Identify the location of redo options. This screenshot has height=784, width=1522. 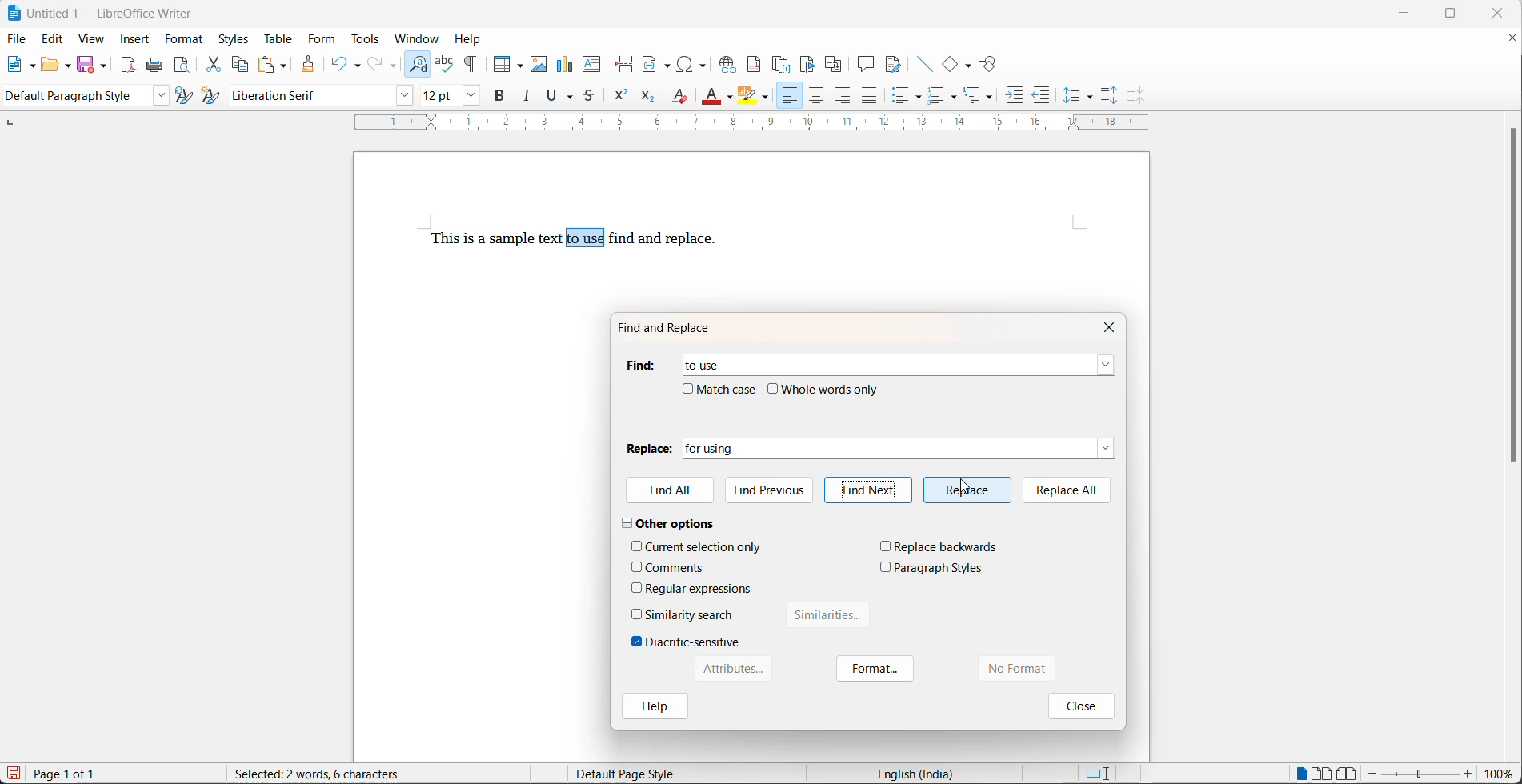
(394, 66).